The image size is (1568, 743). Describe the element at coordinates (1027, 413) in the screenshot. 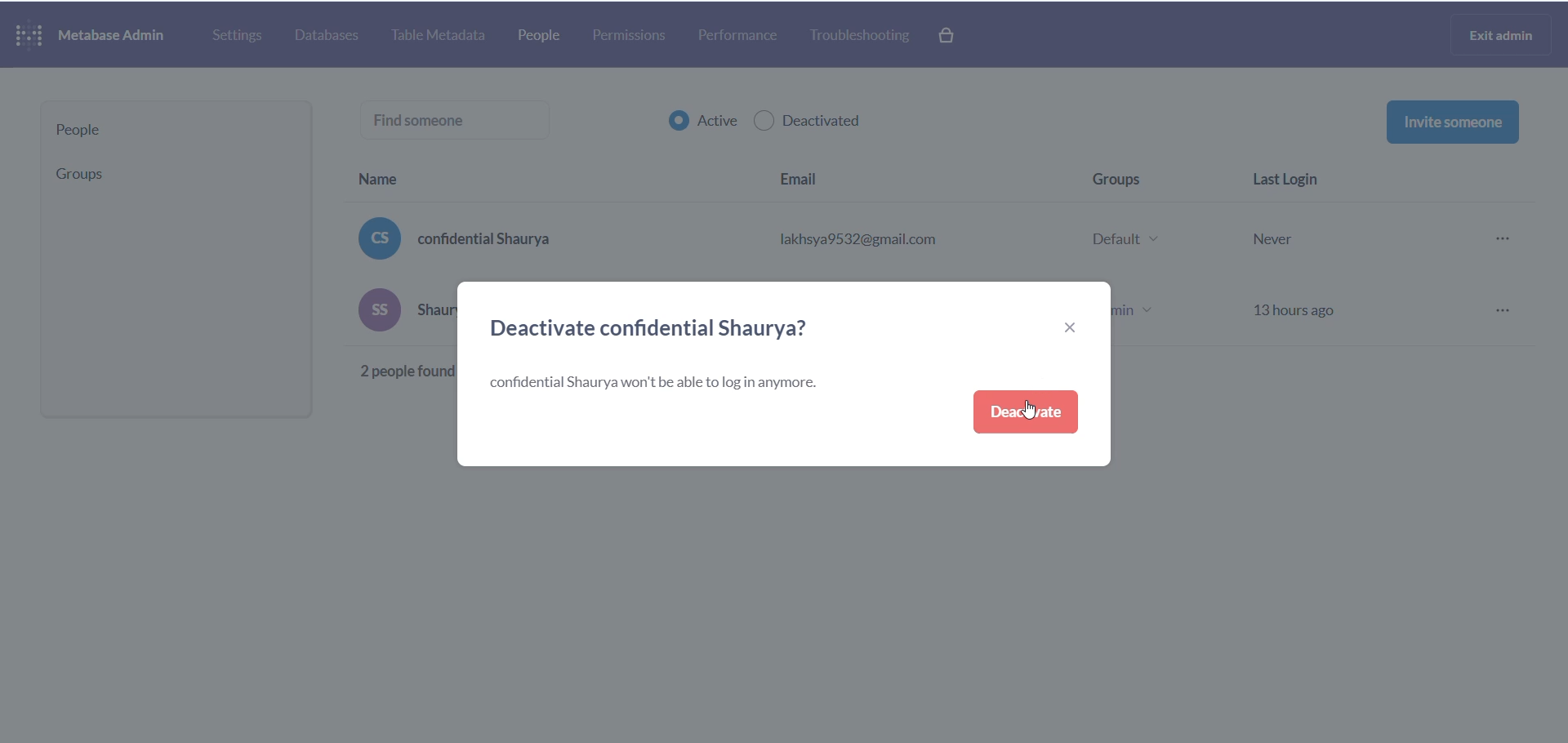

I see `deactivate` at that location.